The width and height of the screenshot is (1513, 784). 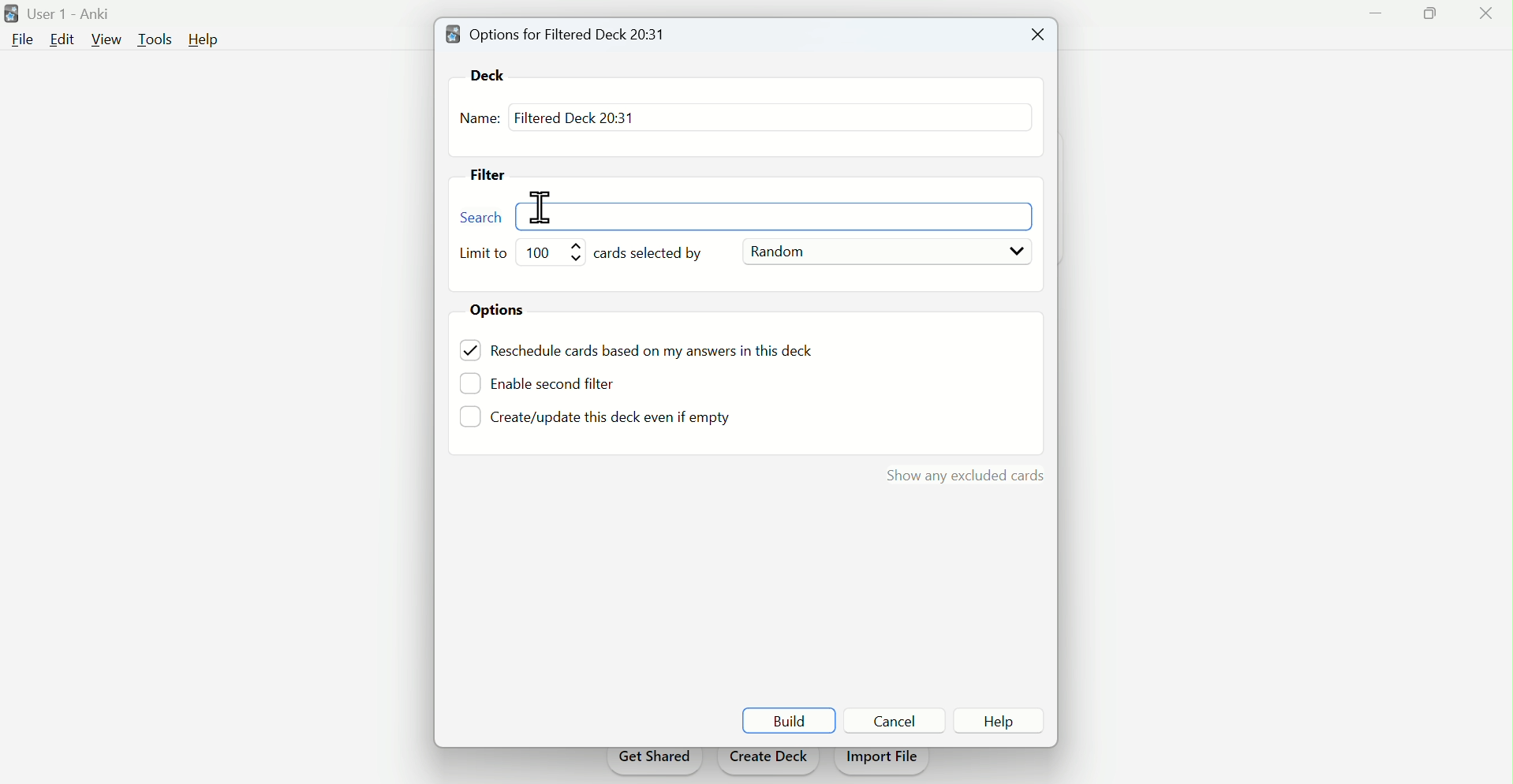 What do you see at coordinates (962, 472) in the screenshot?
I see `show my excluded cards` at bounding box center [962, 472].